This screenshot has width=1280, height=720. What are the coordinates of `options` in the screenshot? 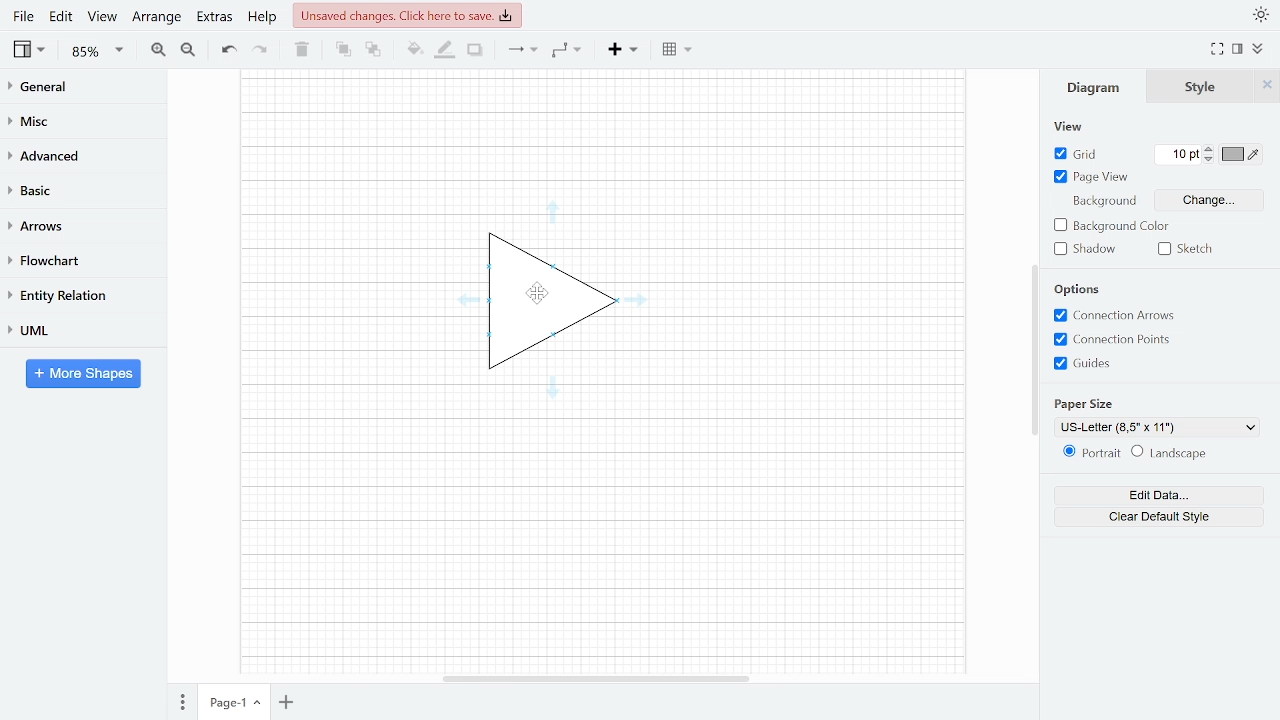 It's located at (1080, 290).